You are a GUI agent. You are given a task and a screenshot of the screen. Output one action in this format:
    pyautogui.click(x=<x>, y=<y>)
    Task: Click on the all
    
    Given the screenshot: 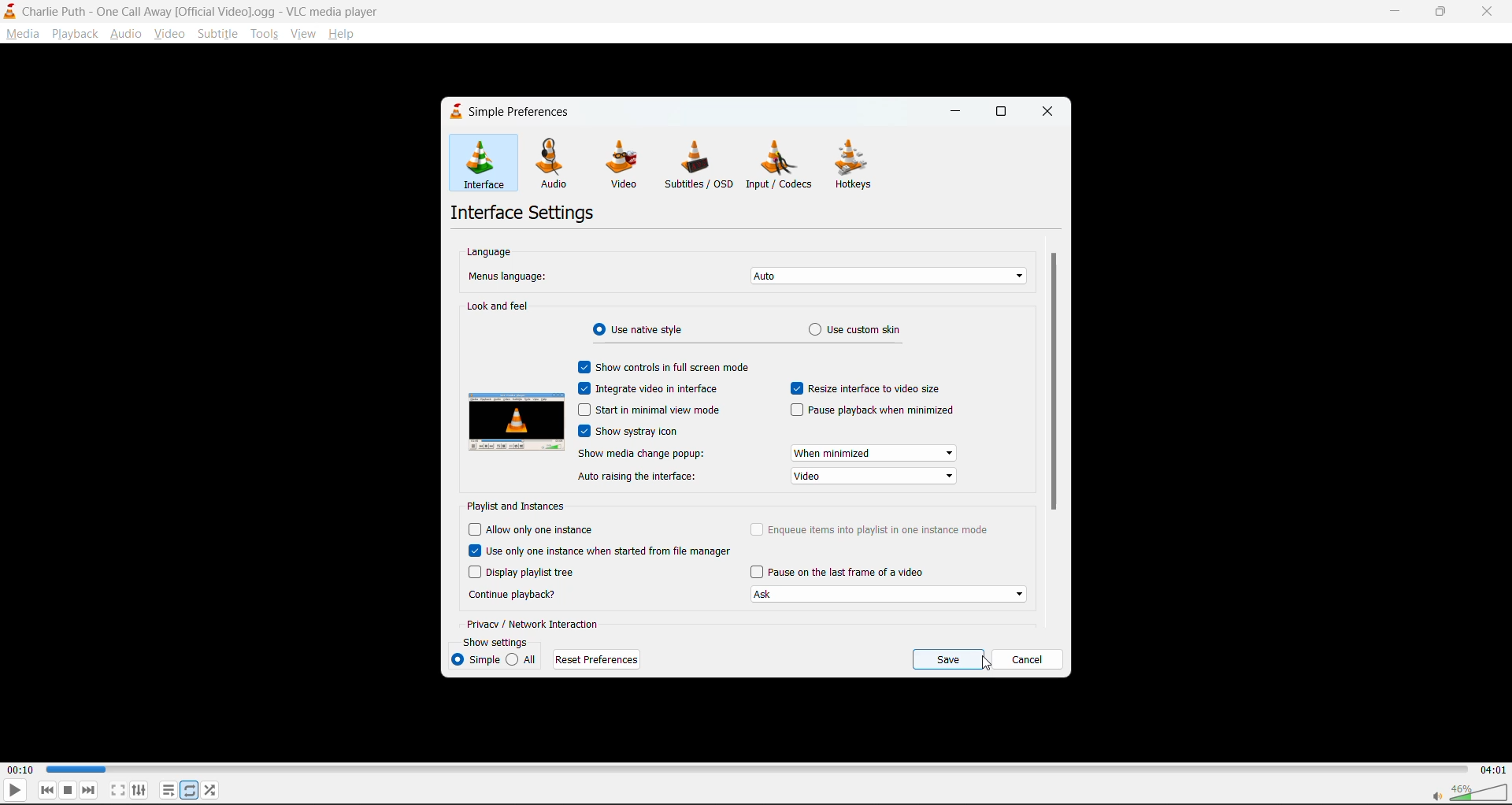 What is the action you would take?
    pyautogui.click(x=523, y=659)
    